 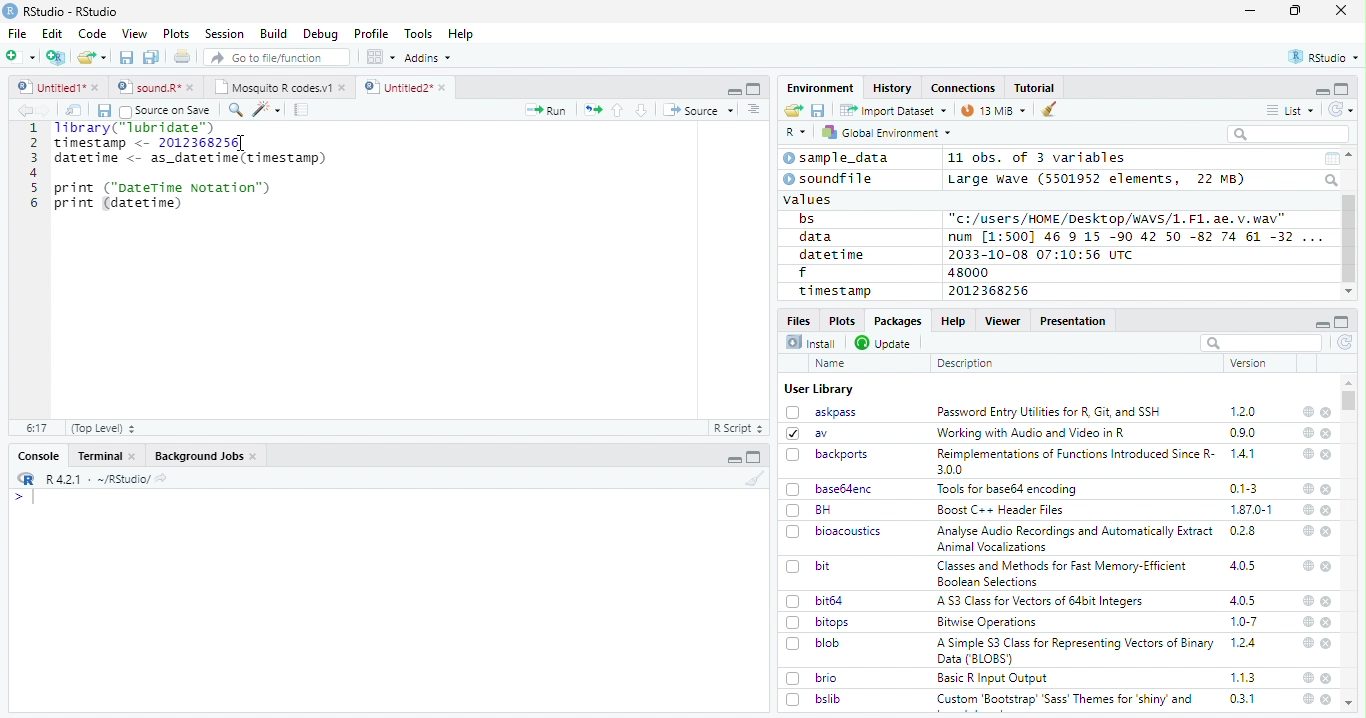 I want to click on View, so click(x=135, y=34).